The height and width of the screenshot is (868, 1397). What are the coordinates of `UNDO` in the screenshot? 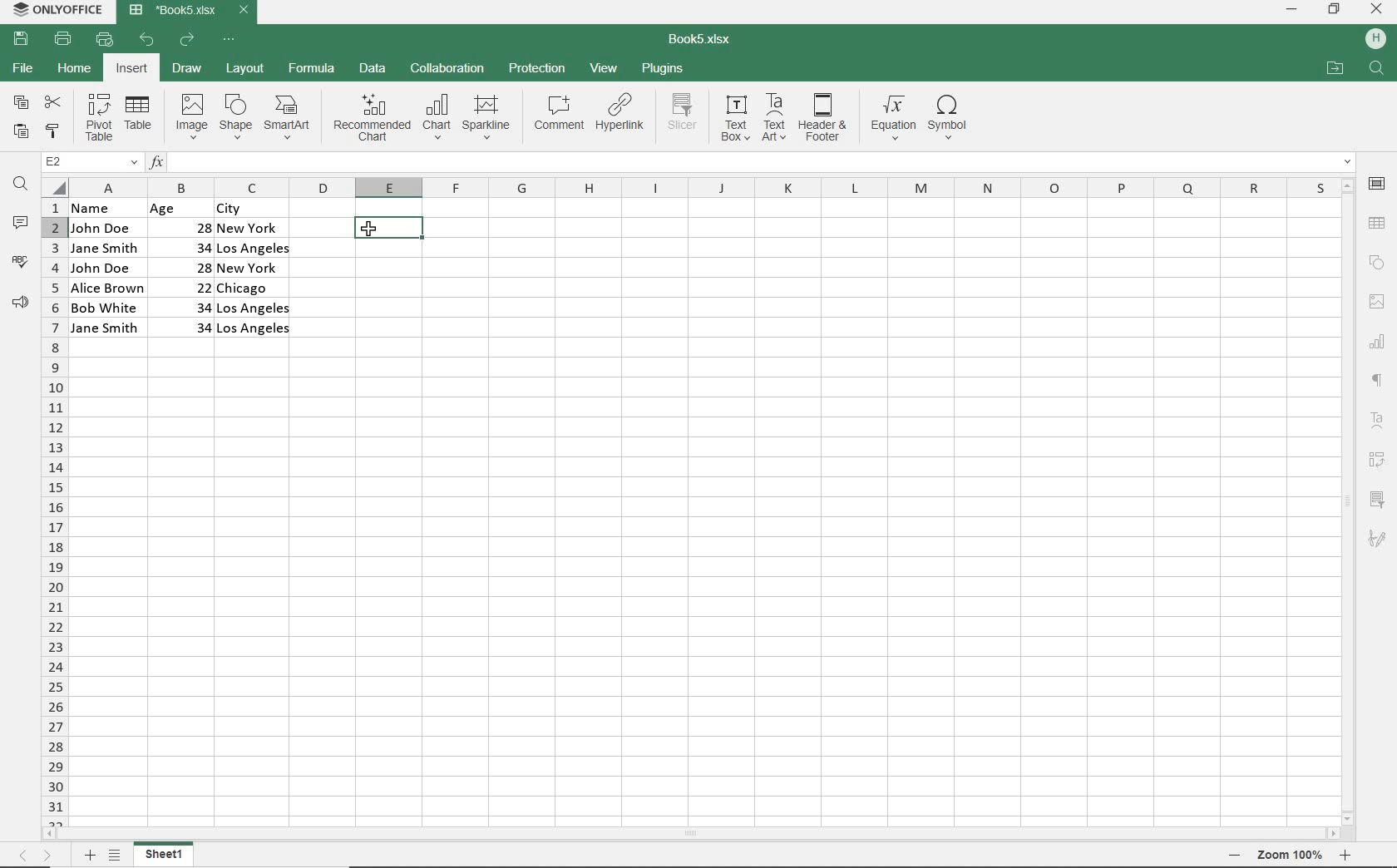 It's located at (147, 40).